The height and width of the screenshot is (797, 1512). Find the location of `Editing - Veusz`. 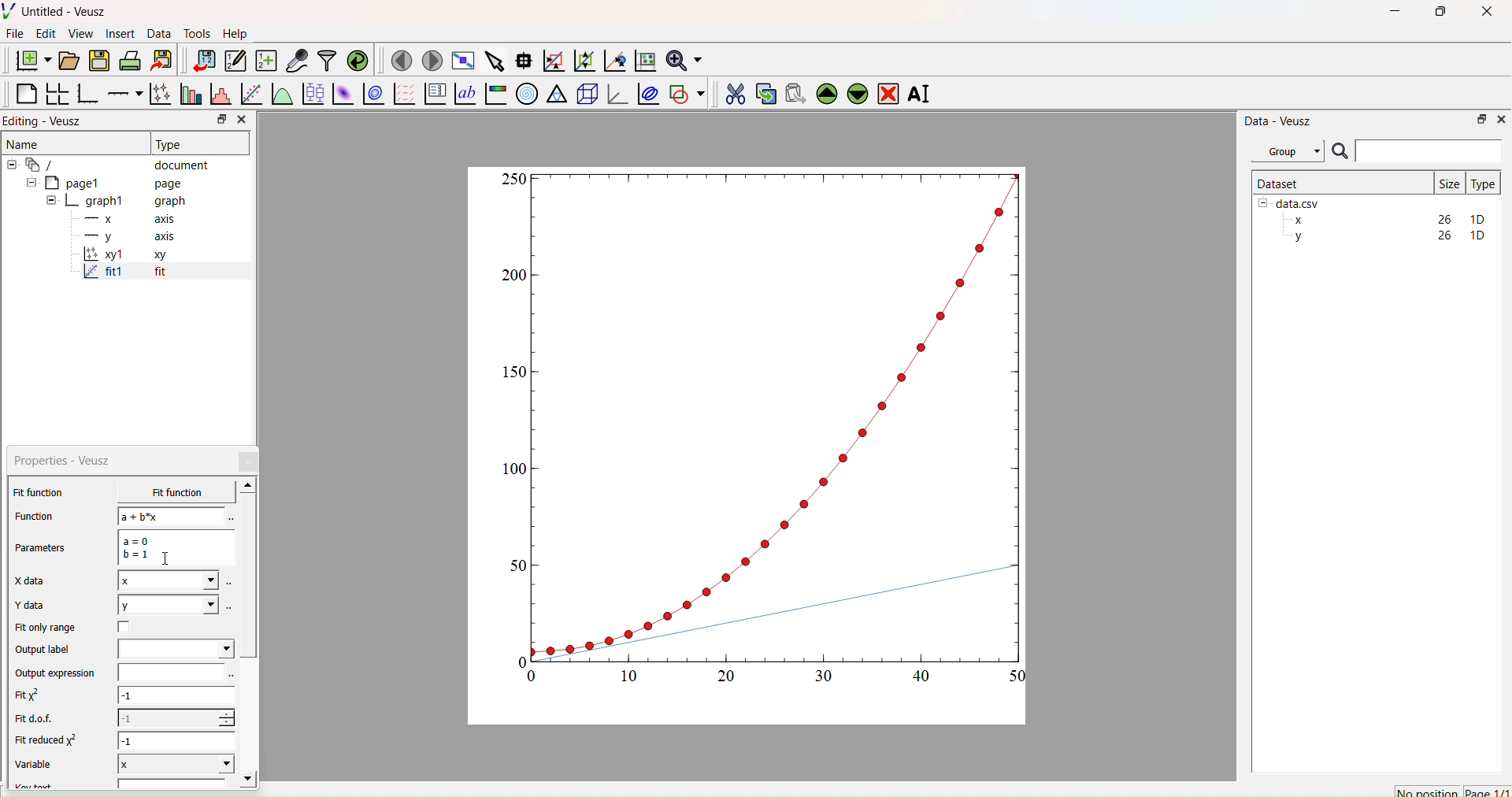

Editing - Veusz is located at coordinates (47, 120).